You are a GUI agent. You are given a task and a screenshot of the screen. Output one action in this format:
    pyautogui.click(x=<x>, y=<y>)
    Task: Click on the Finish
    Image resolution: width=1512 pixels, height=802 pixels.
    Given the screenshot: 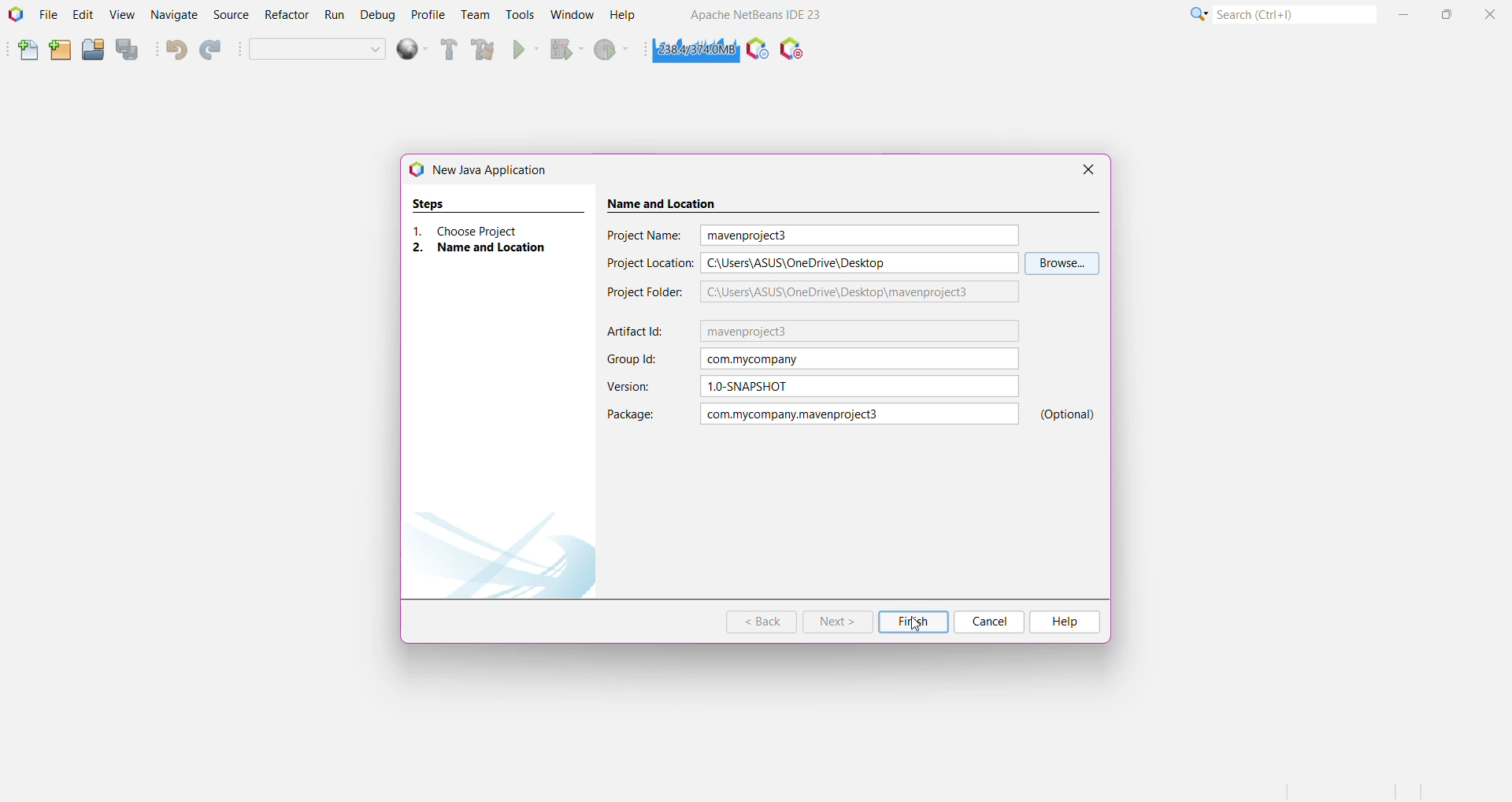 What is the action you would take?
    pyautogui.click(x=913, y=621)
    